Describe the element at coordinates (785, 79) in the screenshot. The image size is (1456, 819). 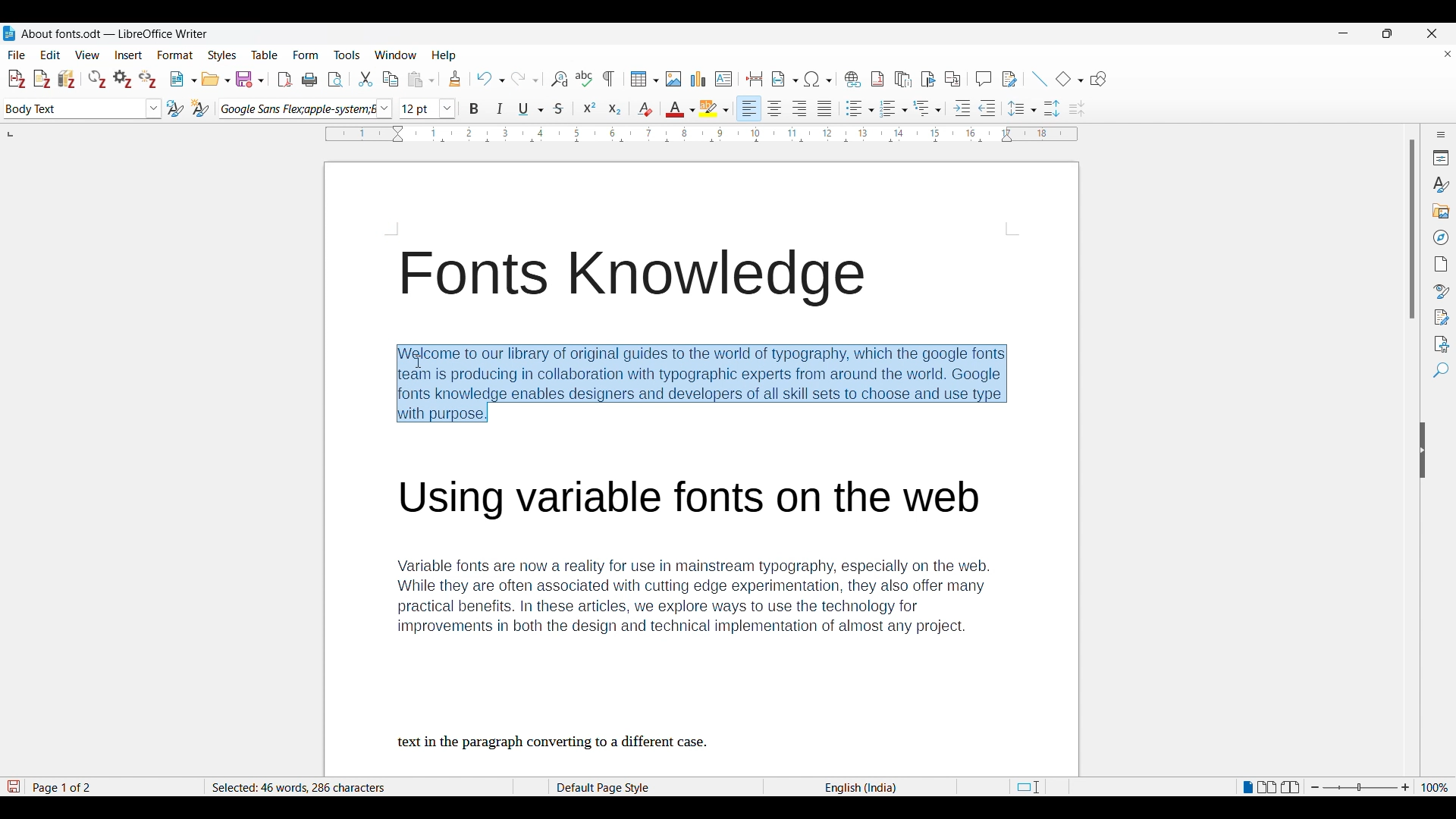
I see `Insert field` at that location.